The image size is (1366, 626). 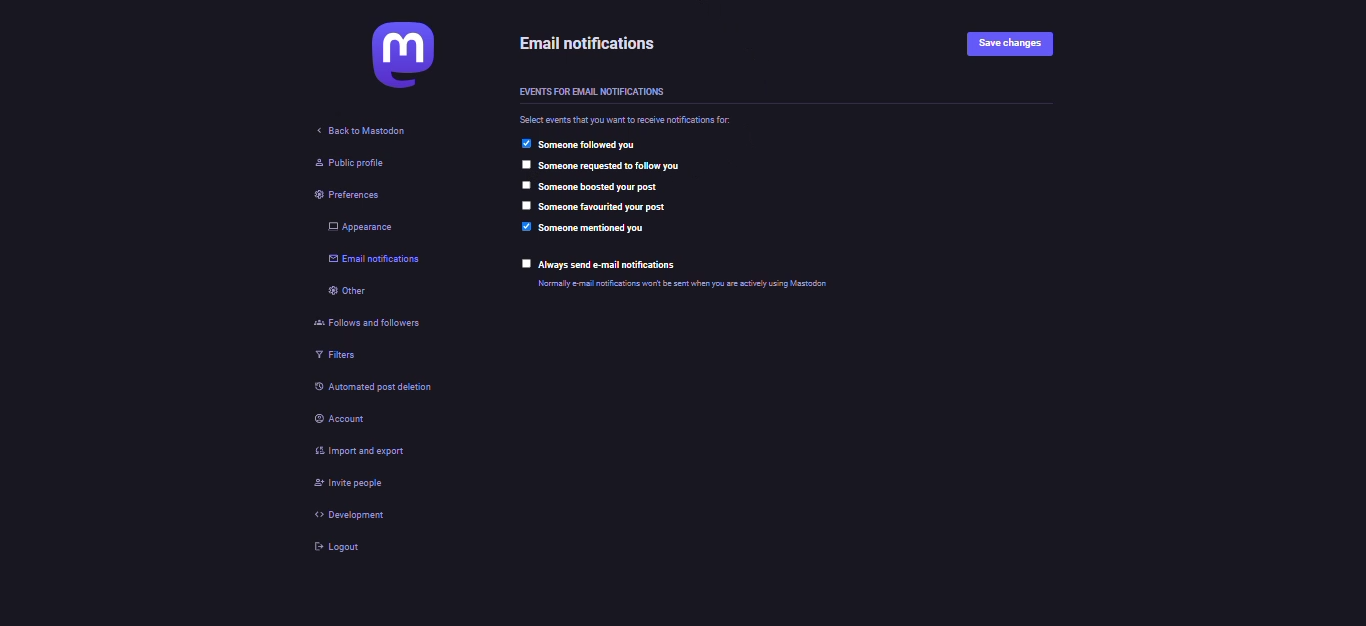 What do you see at coordinates (525, 207) in the screenshot?
I see `click to enable` at bounding box center [525, 207].